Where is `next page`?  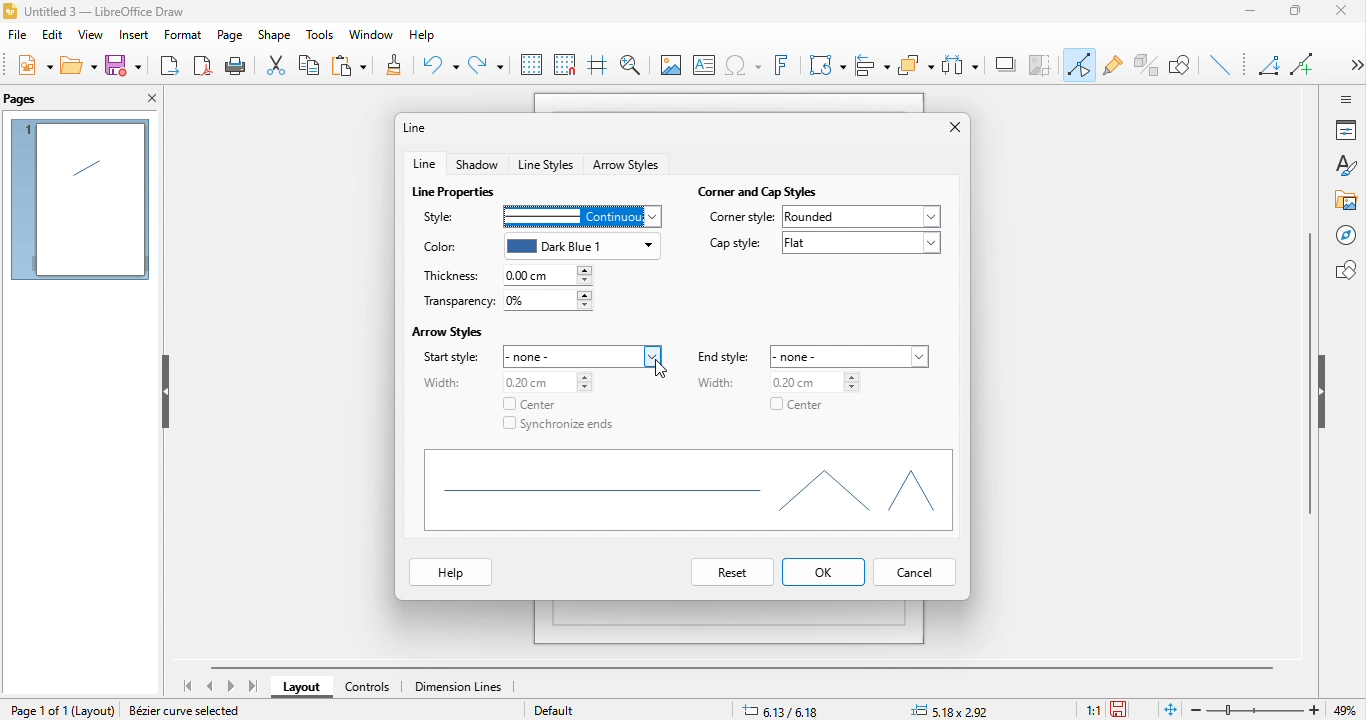
next page is located at coordinates (231, 687).